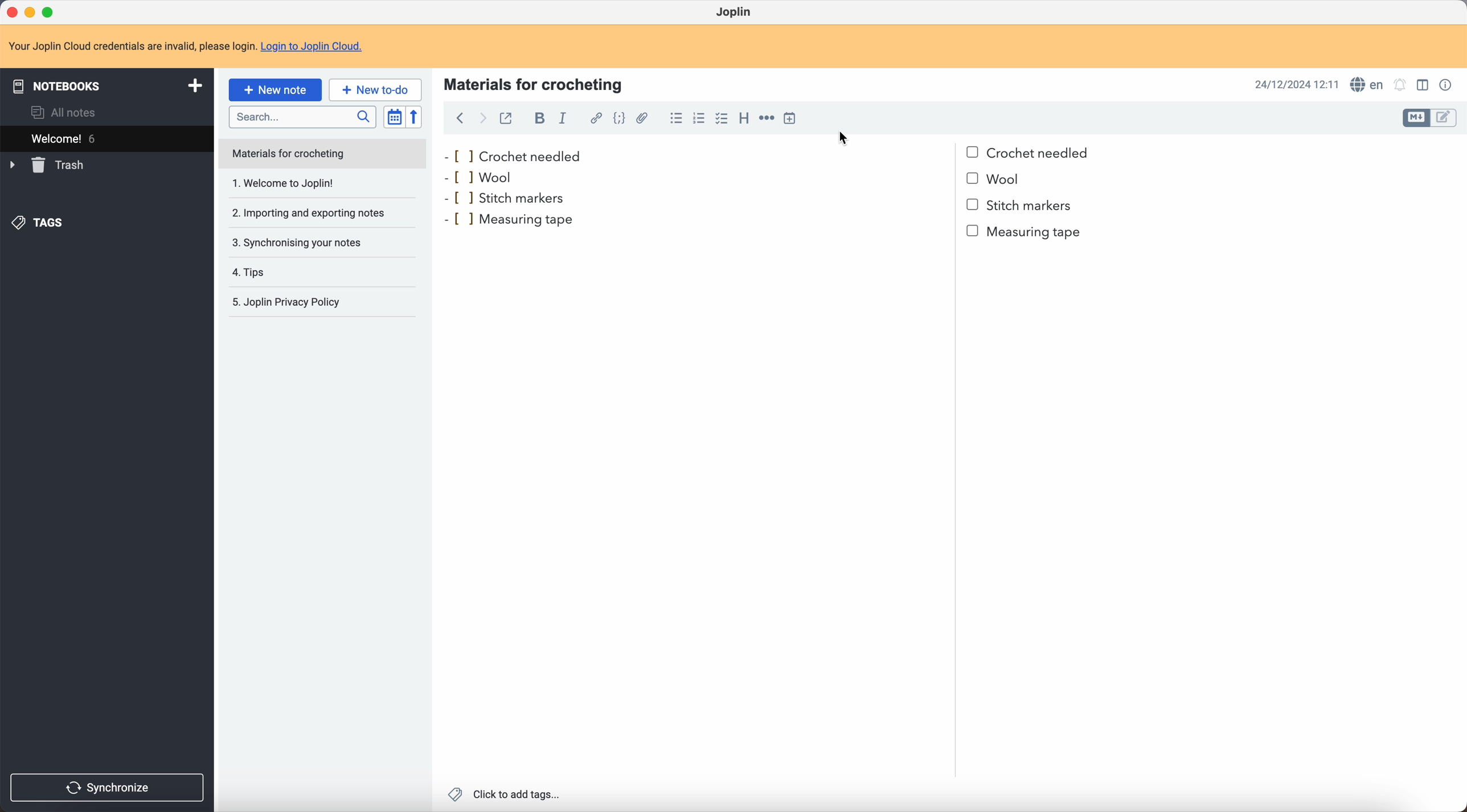 The image size is (1467, 812). I want to click on foward, so click(481, 120).